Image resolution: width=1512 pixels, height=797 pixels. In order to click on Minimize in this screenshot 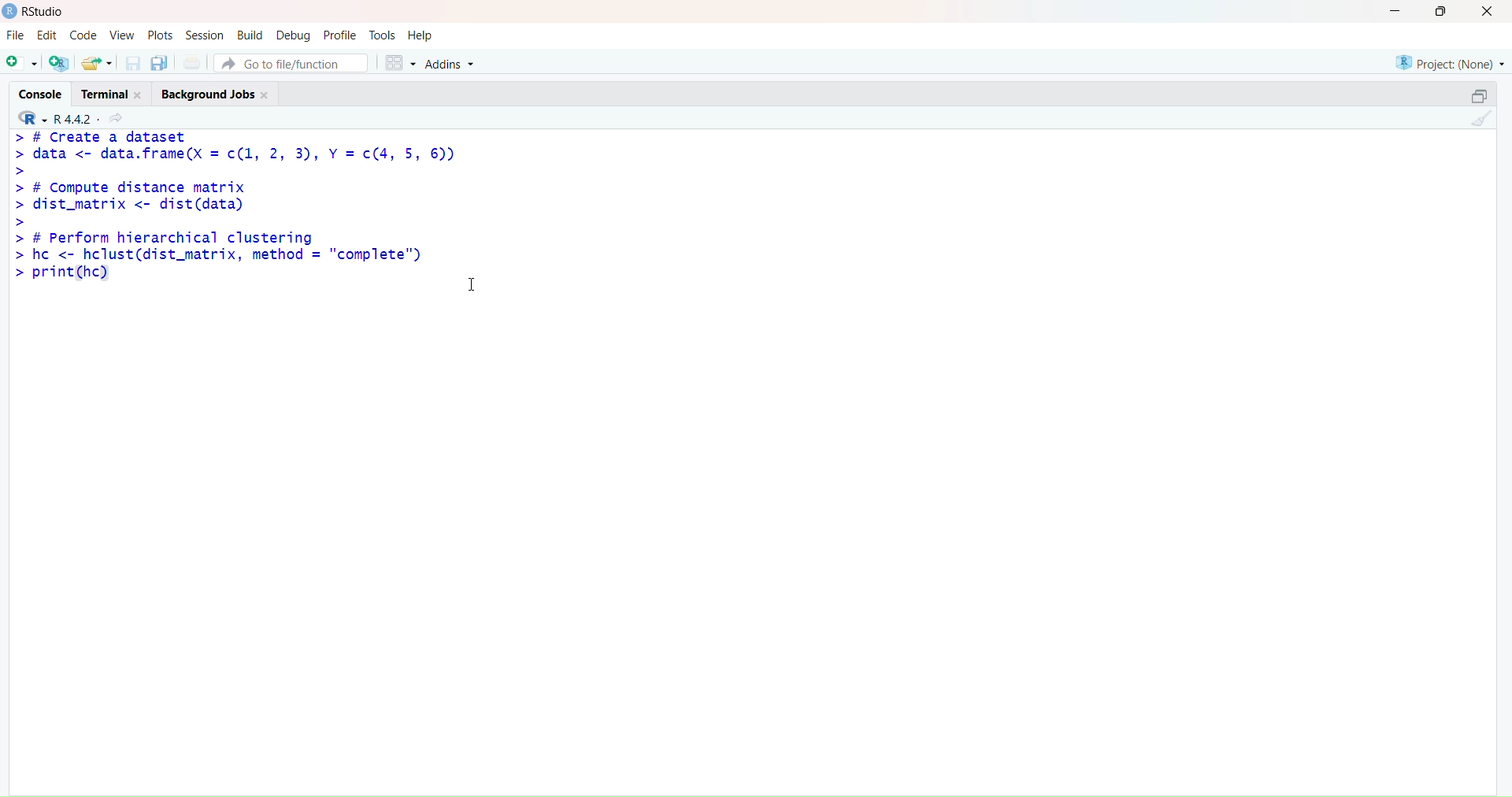, I will do `click(1397, 14)`.